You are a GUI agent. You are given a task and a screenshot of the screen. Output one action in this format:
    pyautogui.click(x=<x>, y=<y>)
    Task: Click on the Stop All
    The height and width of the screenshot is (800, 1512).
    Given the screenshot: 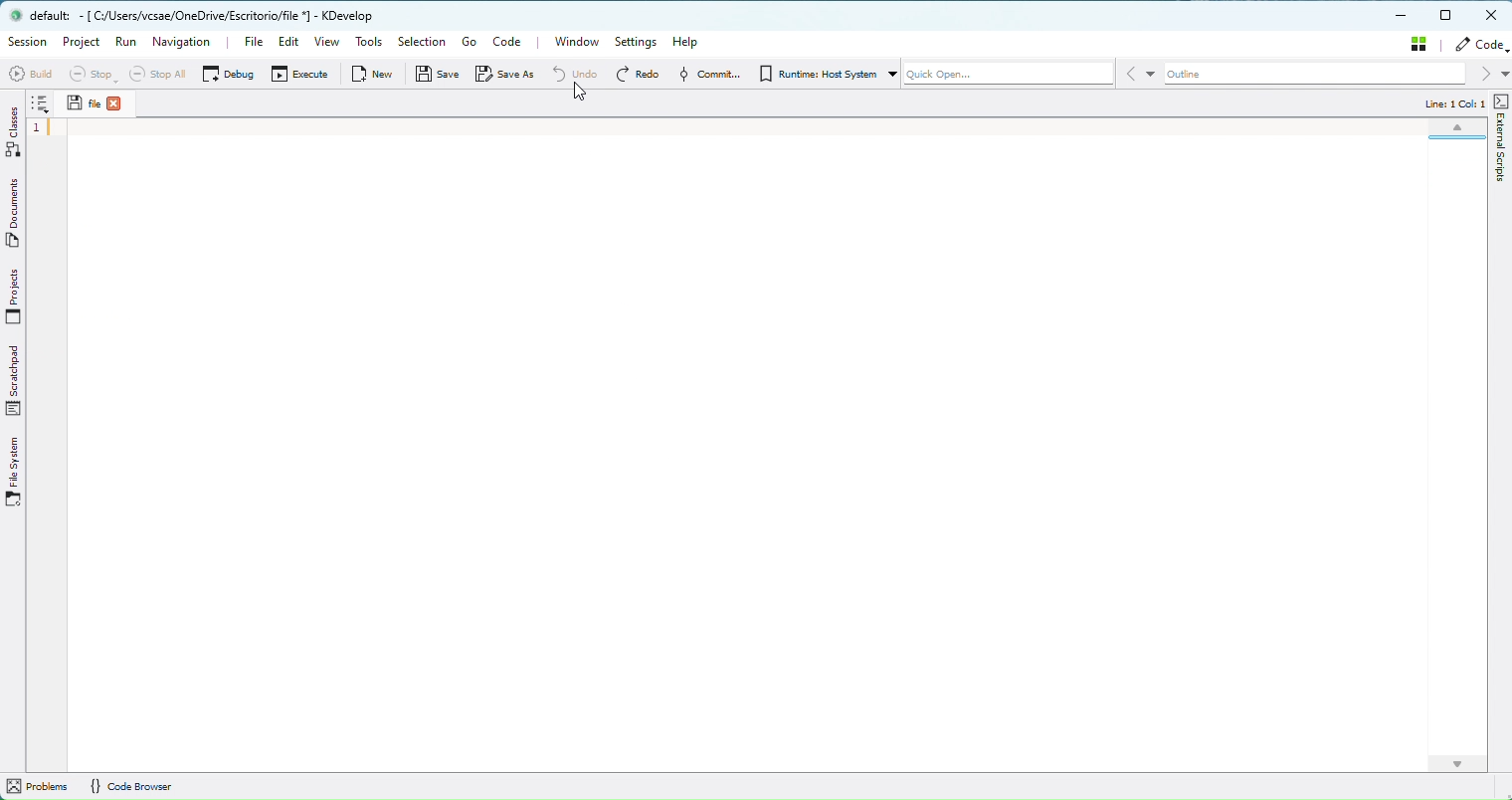 What is the action you would take?
    pyautogui.click(x=162, y=76)
    